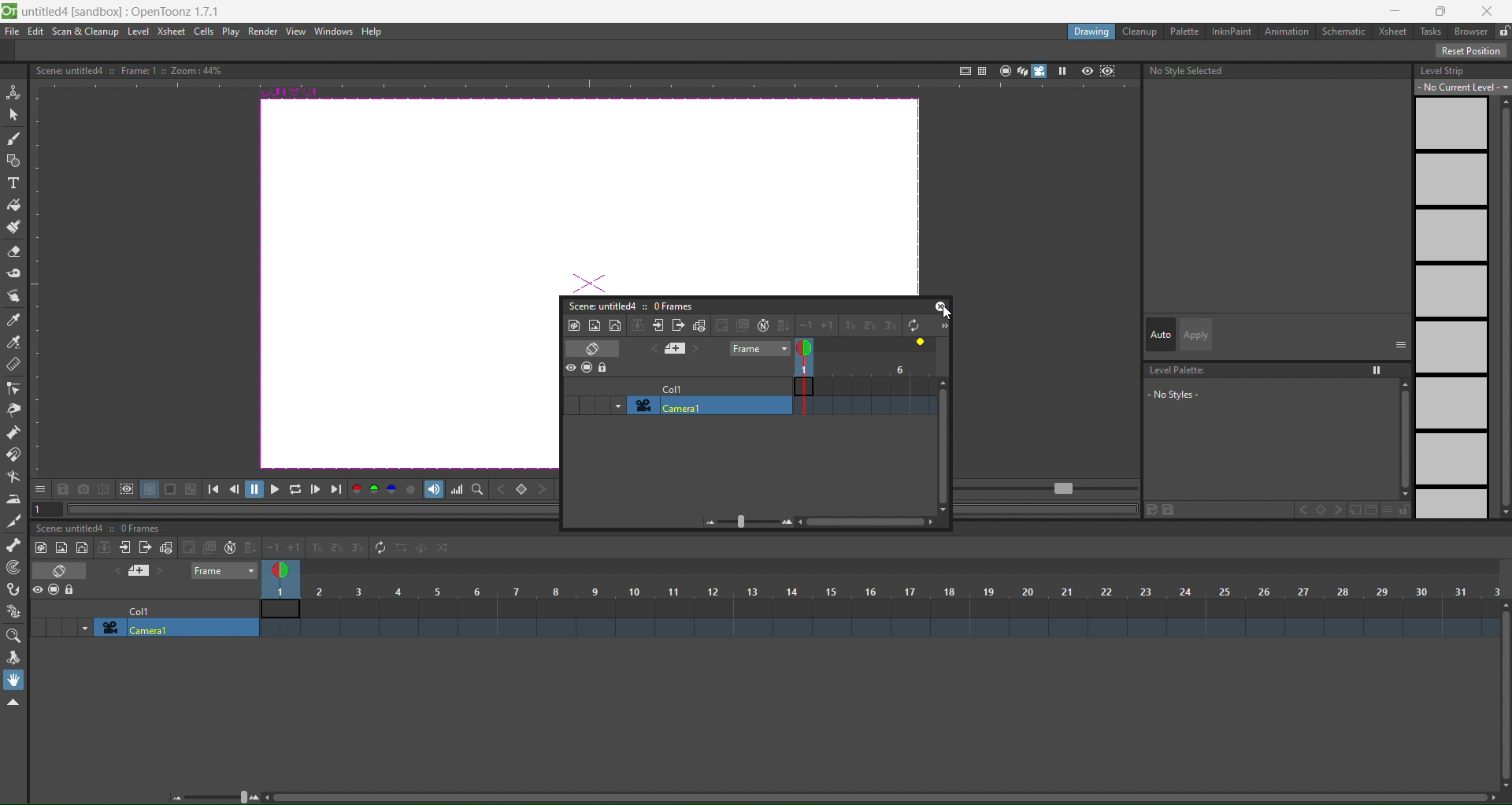 The image size is (1512, 805). Describe the element at coordinates (264, 32) in the screenshot. I see `render` at that location.